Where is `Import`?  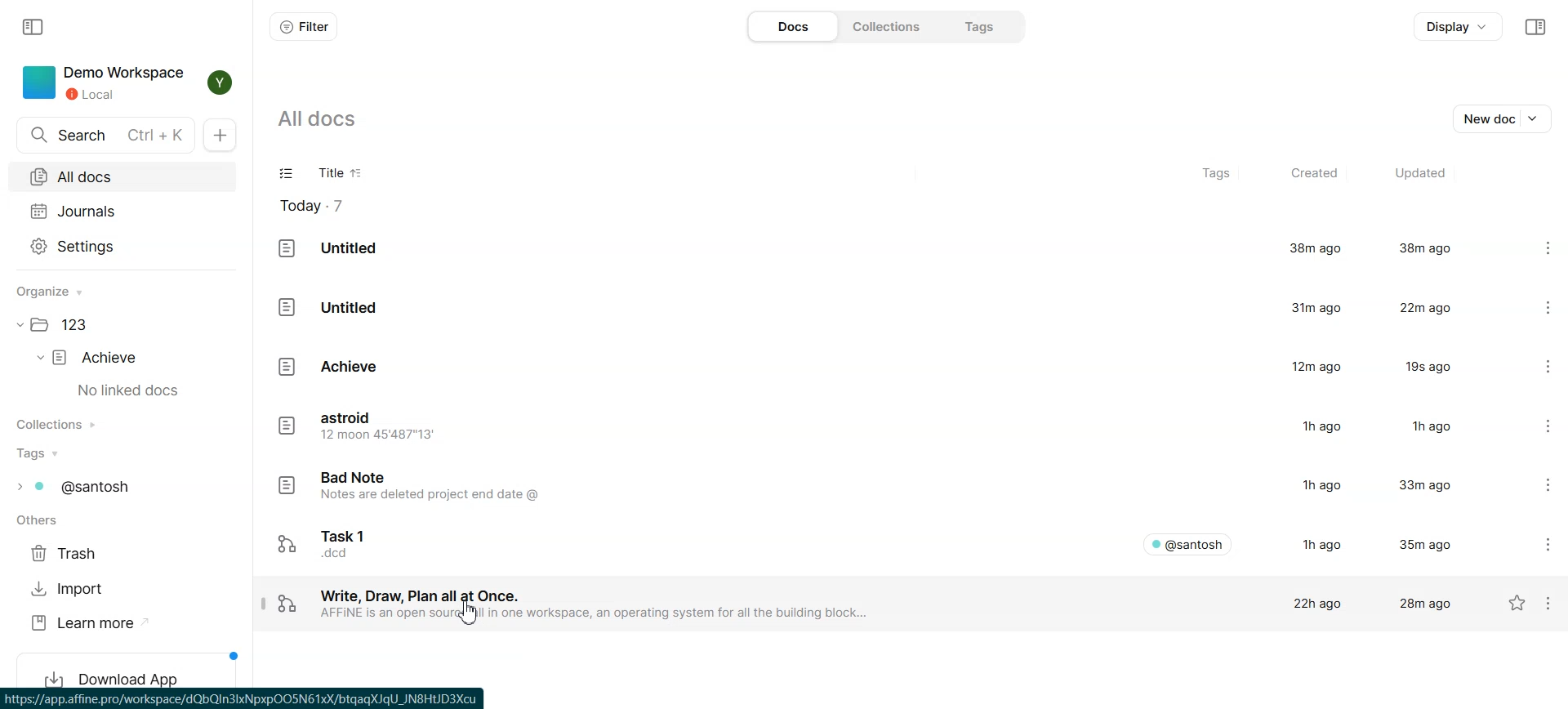
Import is located at coordinates (69, 589).